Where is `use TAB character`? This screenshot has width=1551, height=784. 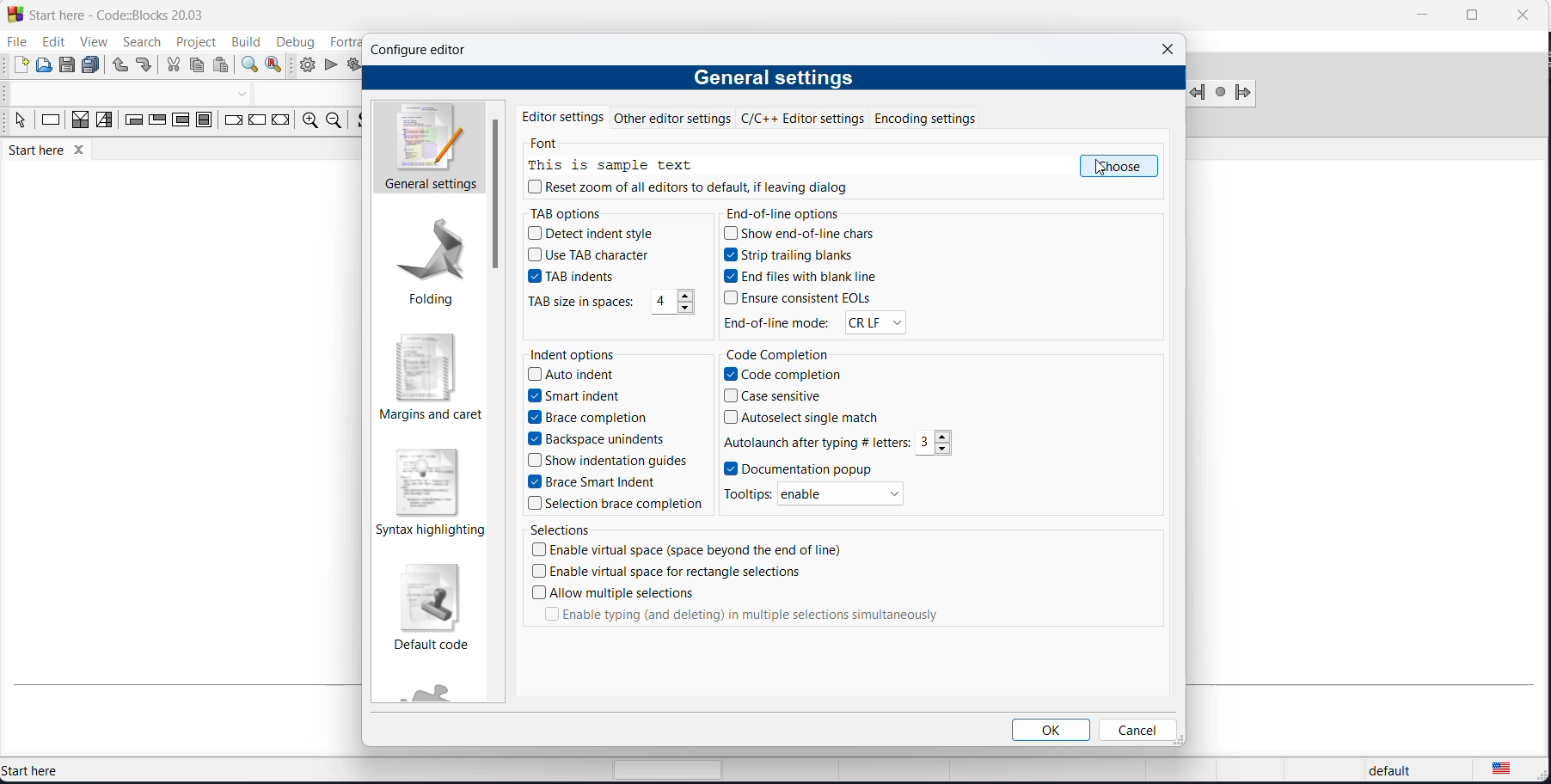
use TAB character is located at coordinates (591, 256).